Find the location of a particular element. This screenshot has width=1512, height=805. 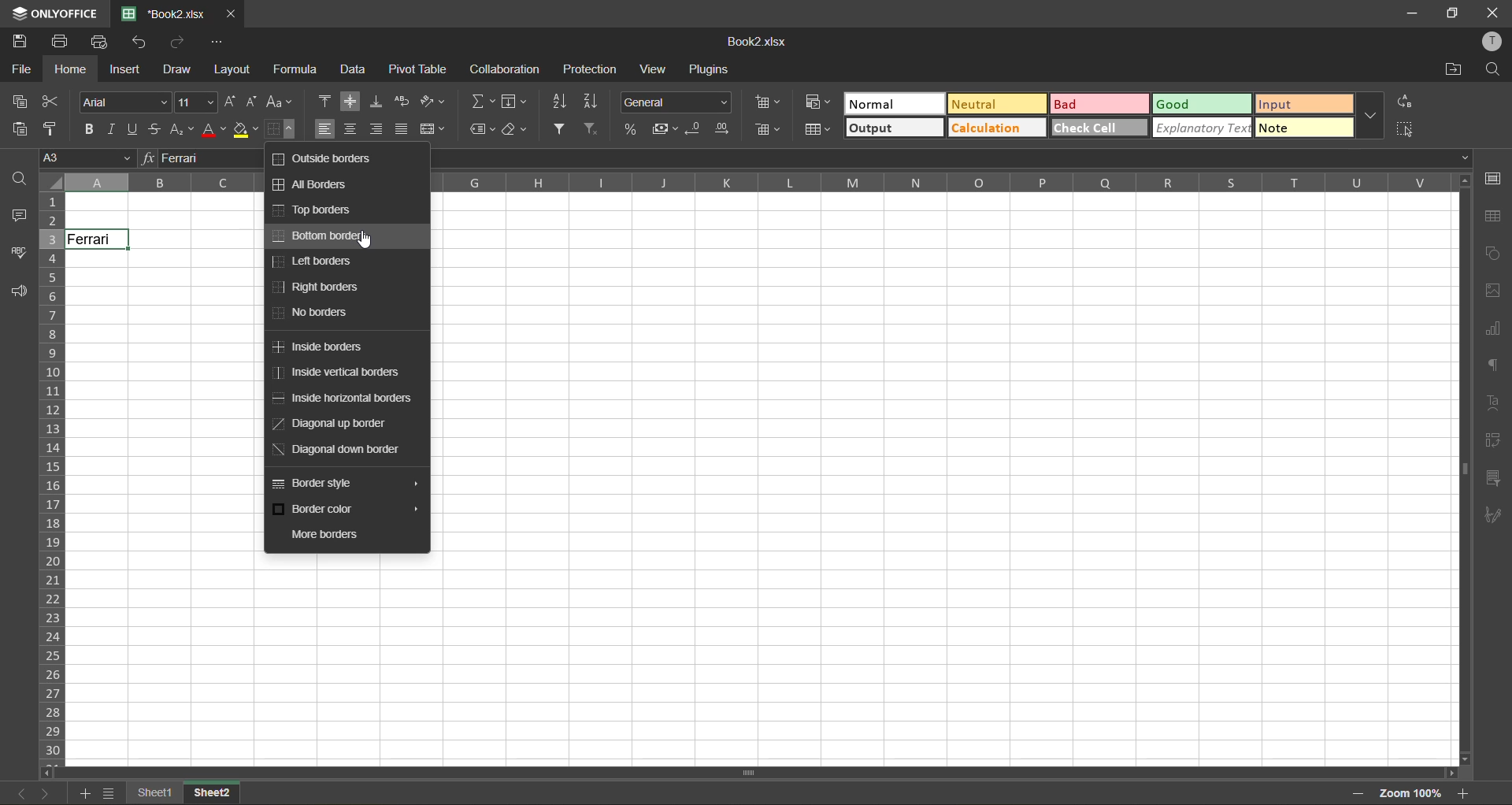

file is located at coordinates (21, 69).